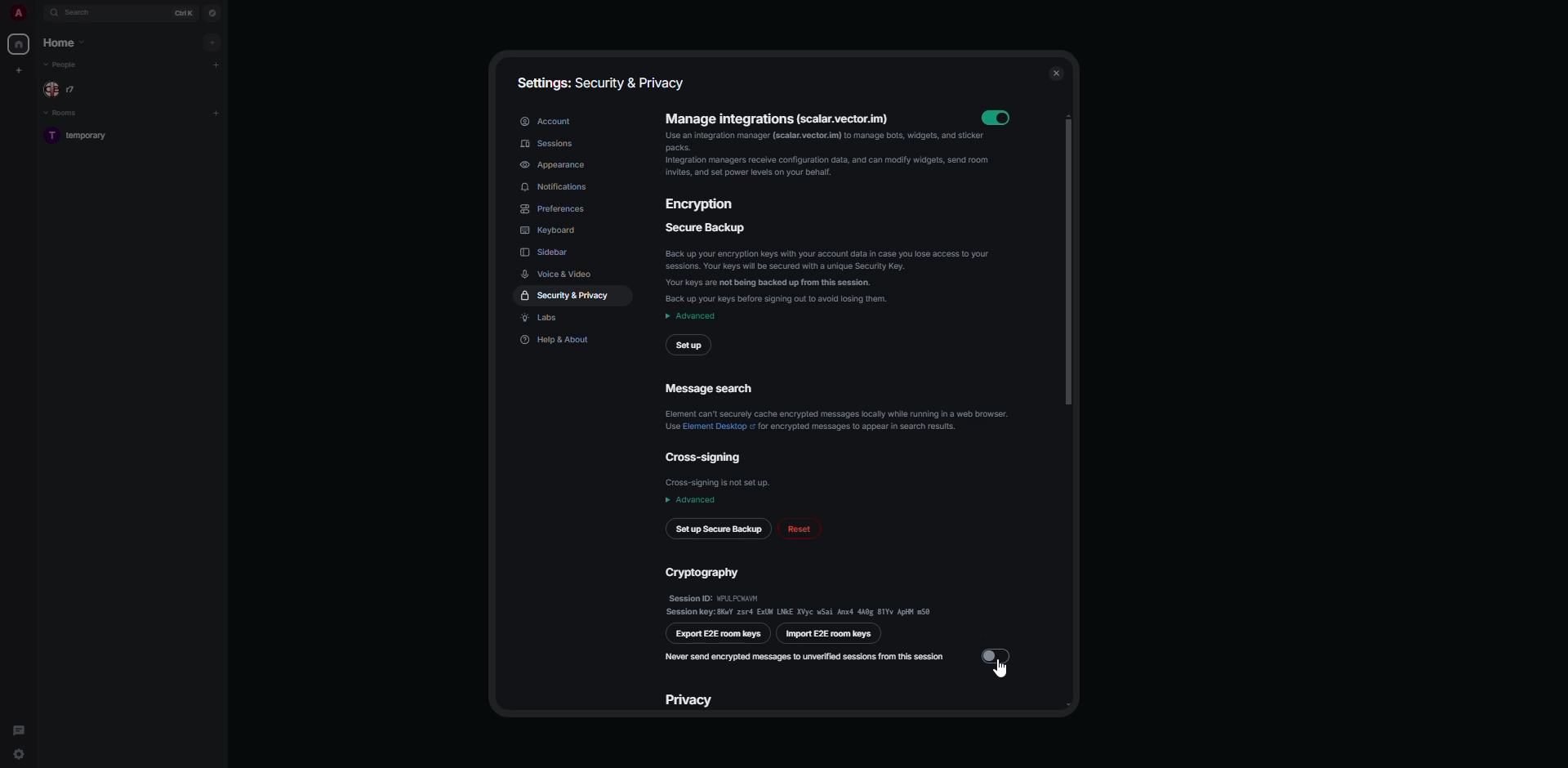  I want to click on cross-signing cross-signing is not set up, so click(719, 471).